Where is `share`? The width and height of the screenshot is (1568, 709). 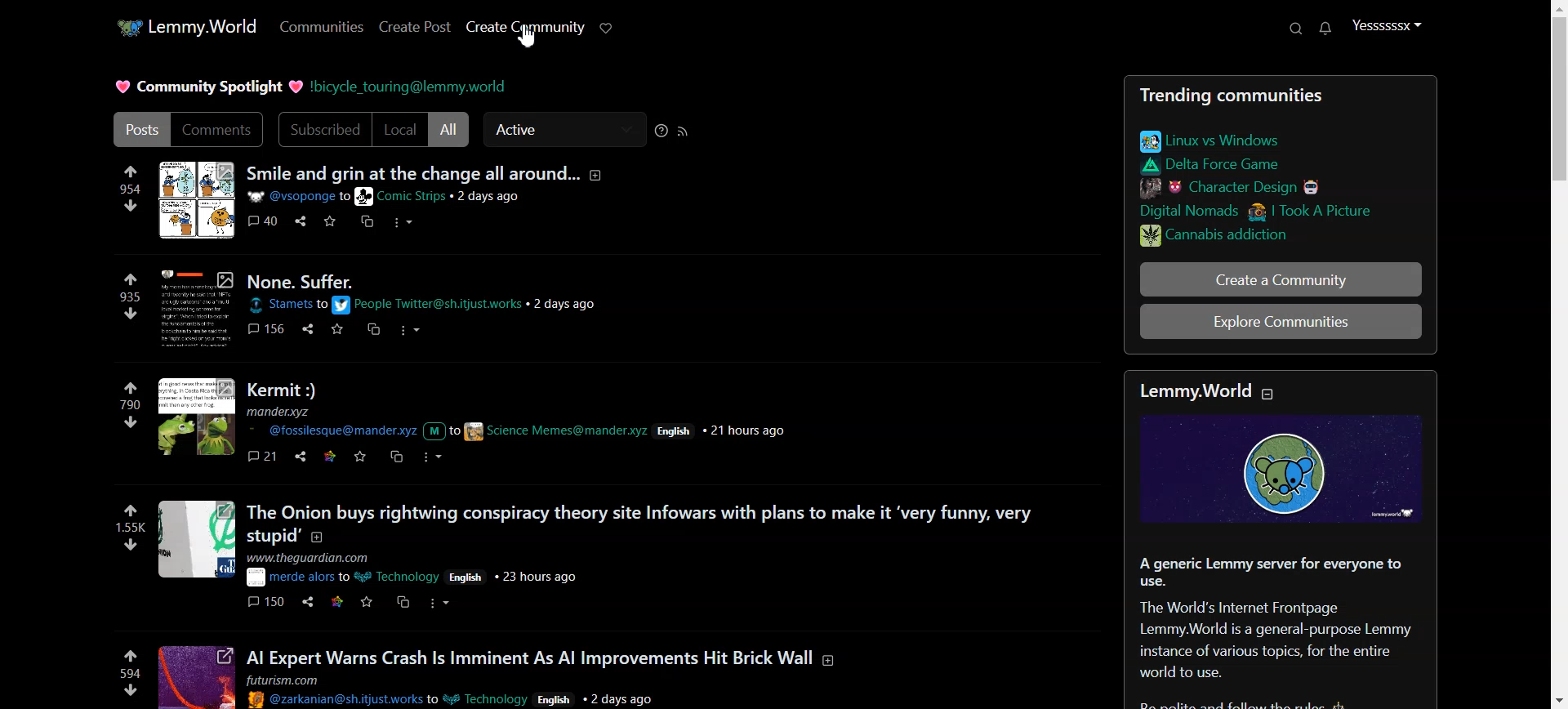 share is located at coordinates (303, 221).